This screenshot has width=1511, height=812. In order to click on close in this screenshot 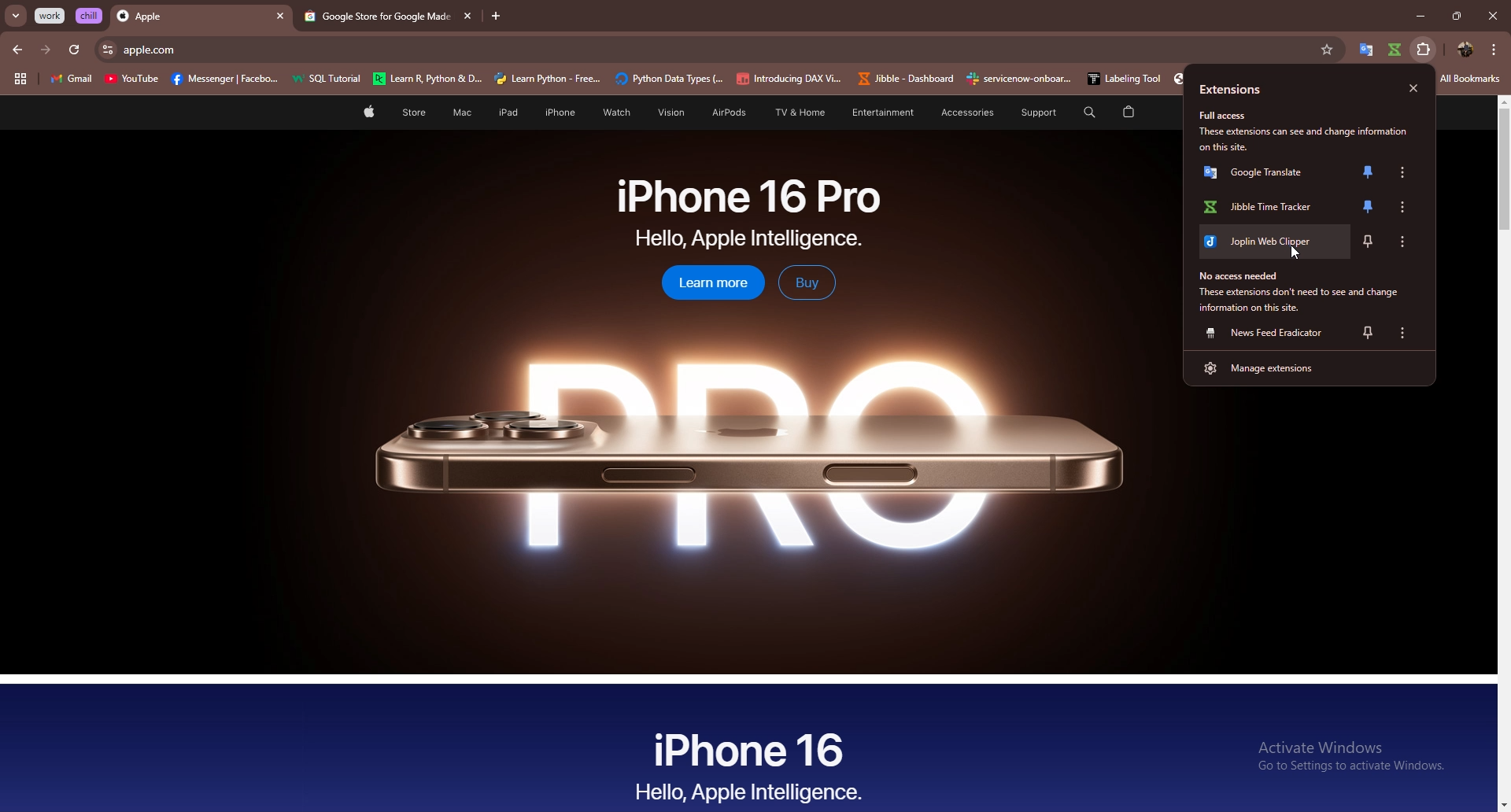, I will do `click(1492, 16)`.